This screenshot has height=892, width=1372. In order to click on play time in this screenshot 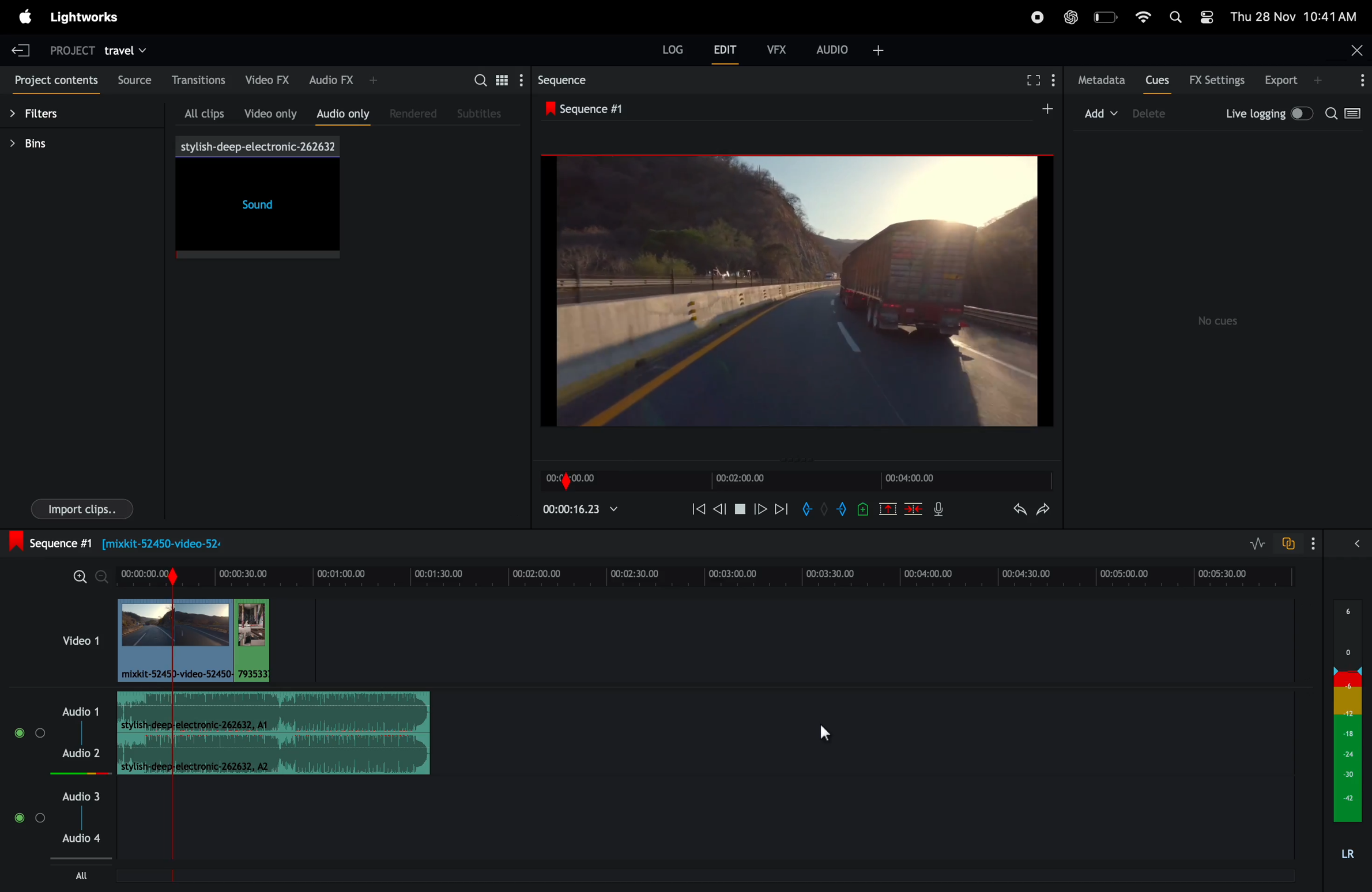, I will do `click(584, 512)`.